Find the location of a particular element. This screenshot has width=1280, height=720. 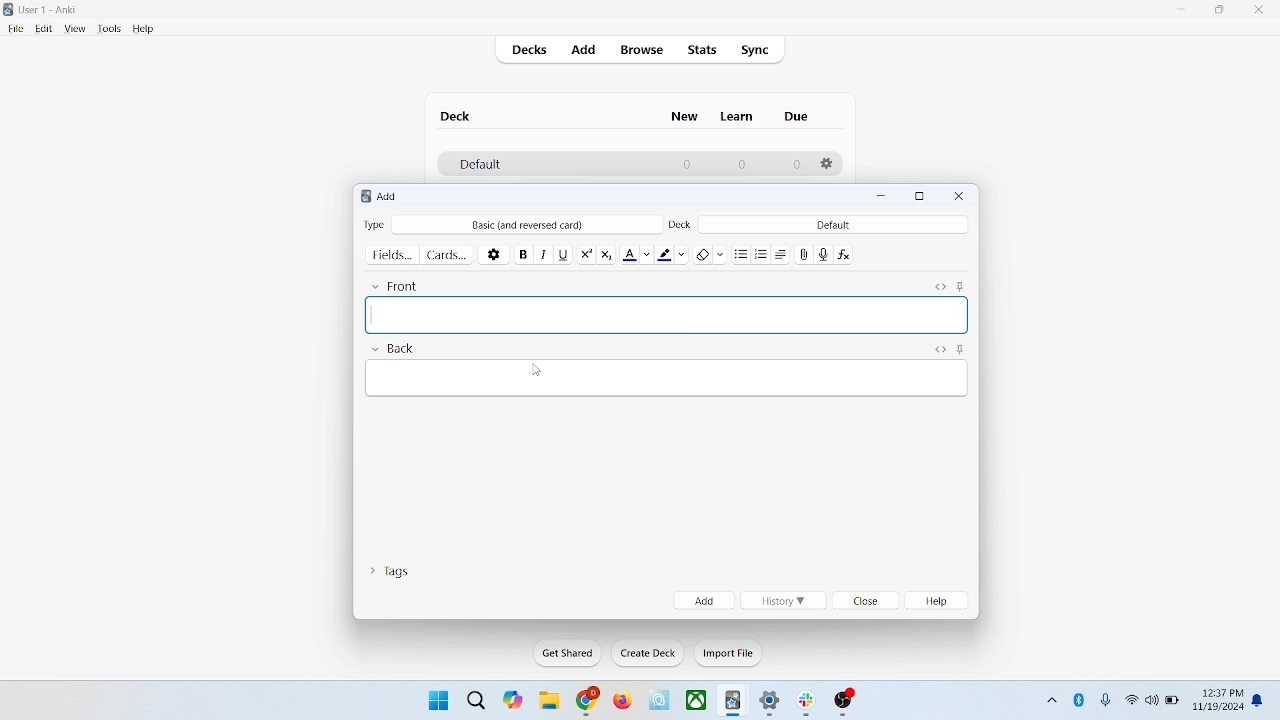

attachment is located at coordinates (805, 253).